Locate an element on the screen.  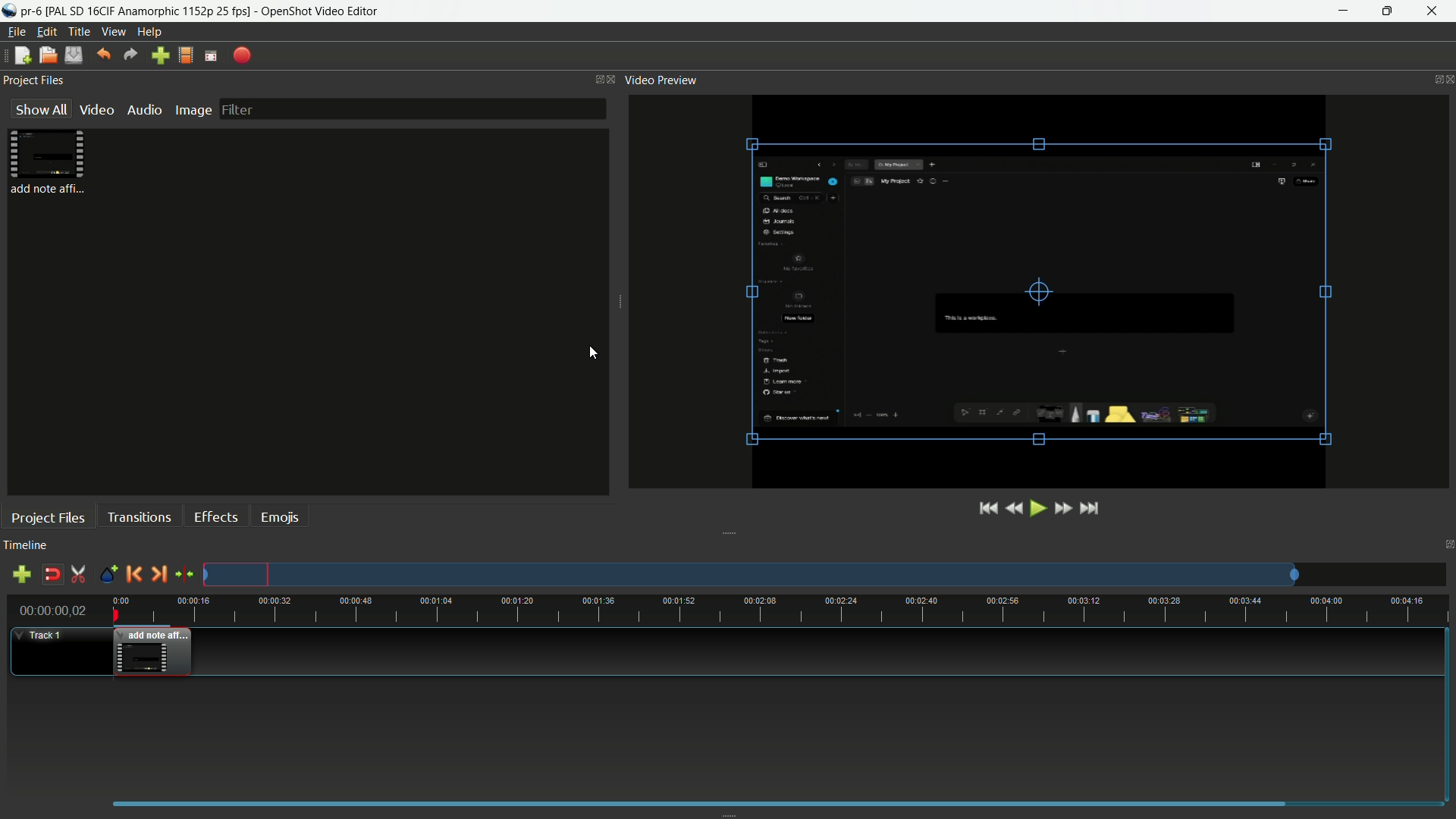
add track is located at coordinates (20, 575).